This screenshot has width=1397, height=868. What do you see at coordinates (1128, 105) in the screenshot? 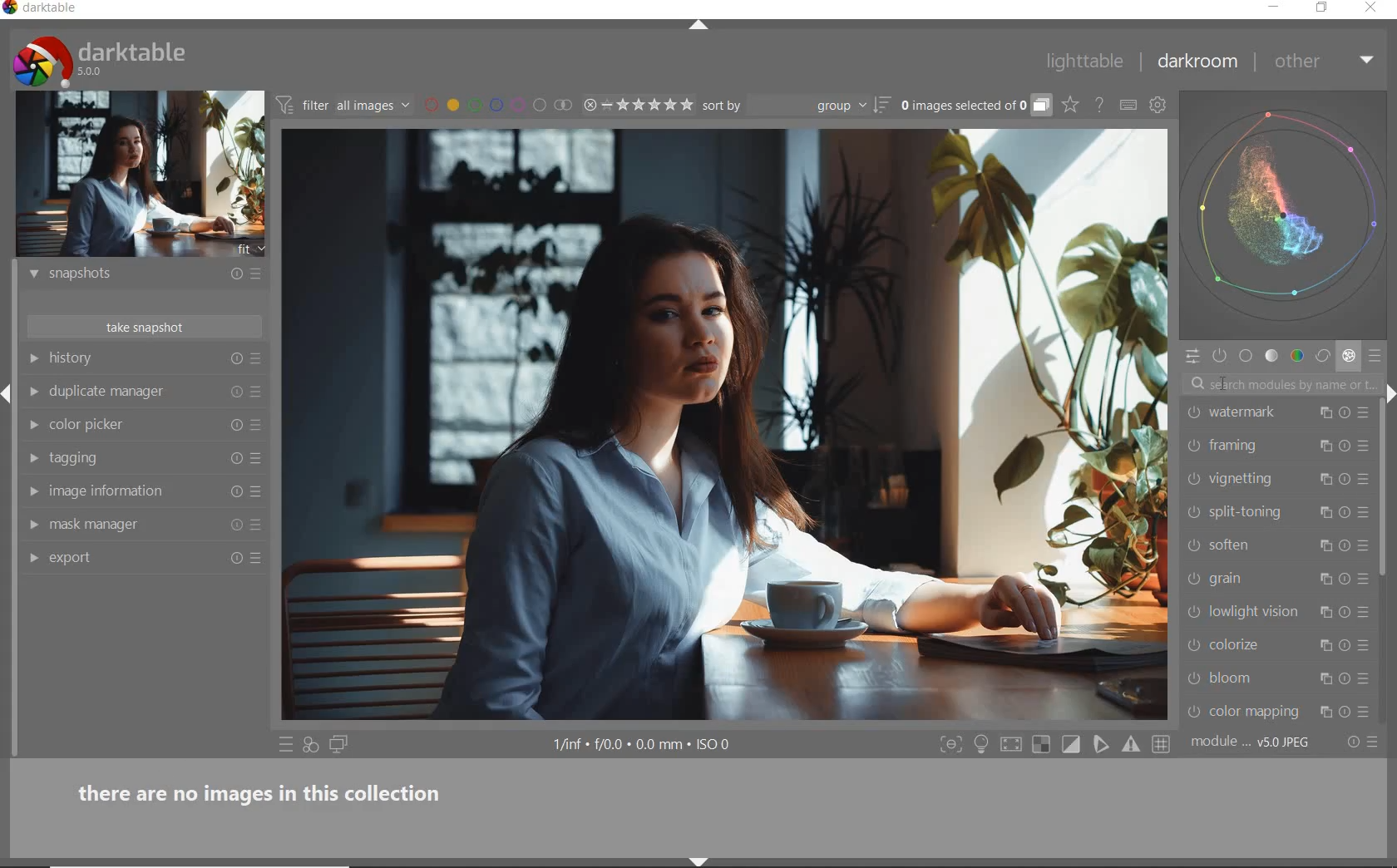
I see `set keyboard shortcuts` at bounding box center [1128, 105].